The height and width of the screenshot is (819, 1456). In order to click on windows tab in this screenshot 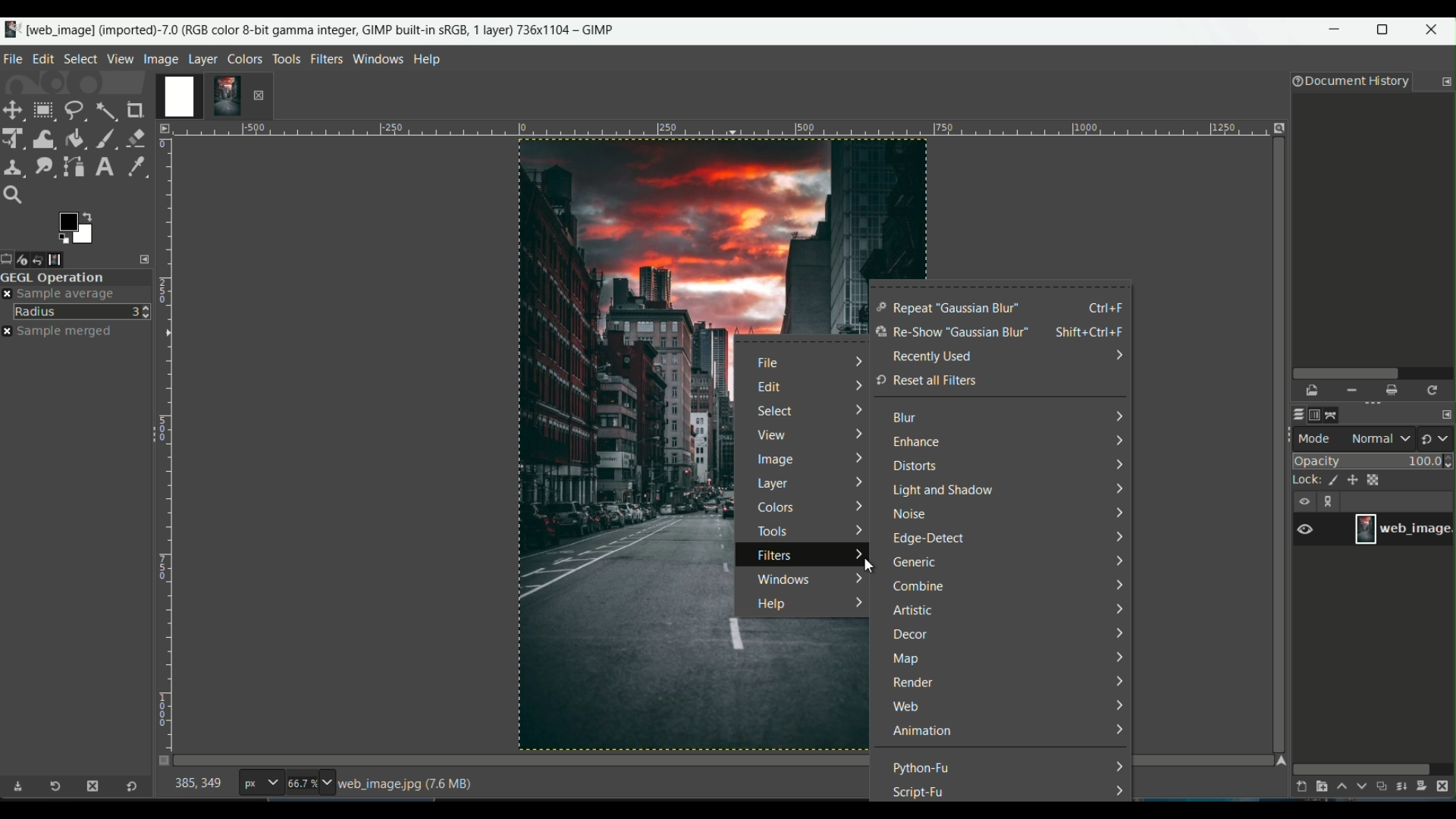, I will do `click(379, 58)`.